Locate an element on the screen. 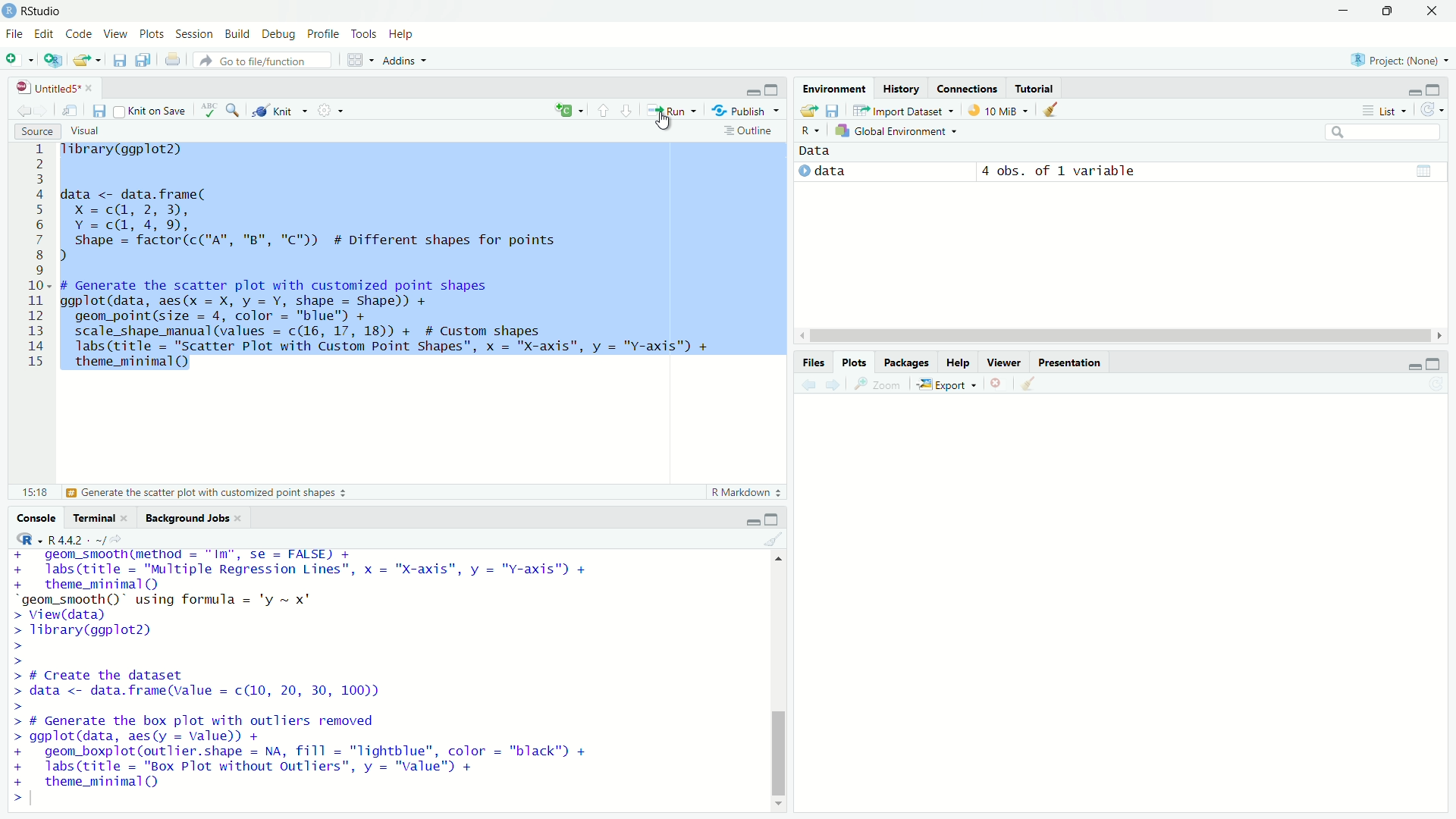  Debug is located at coordinates (278, 34).